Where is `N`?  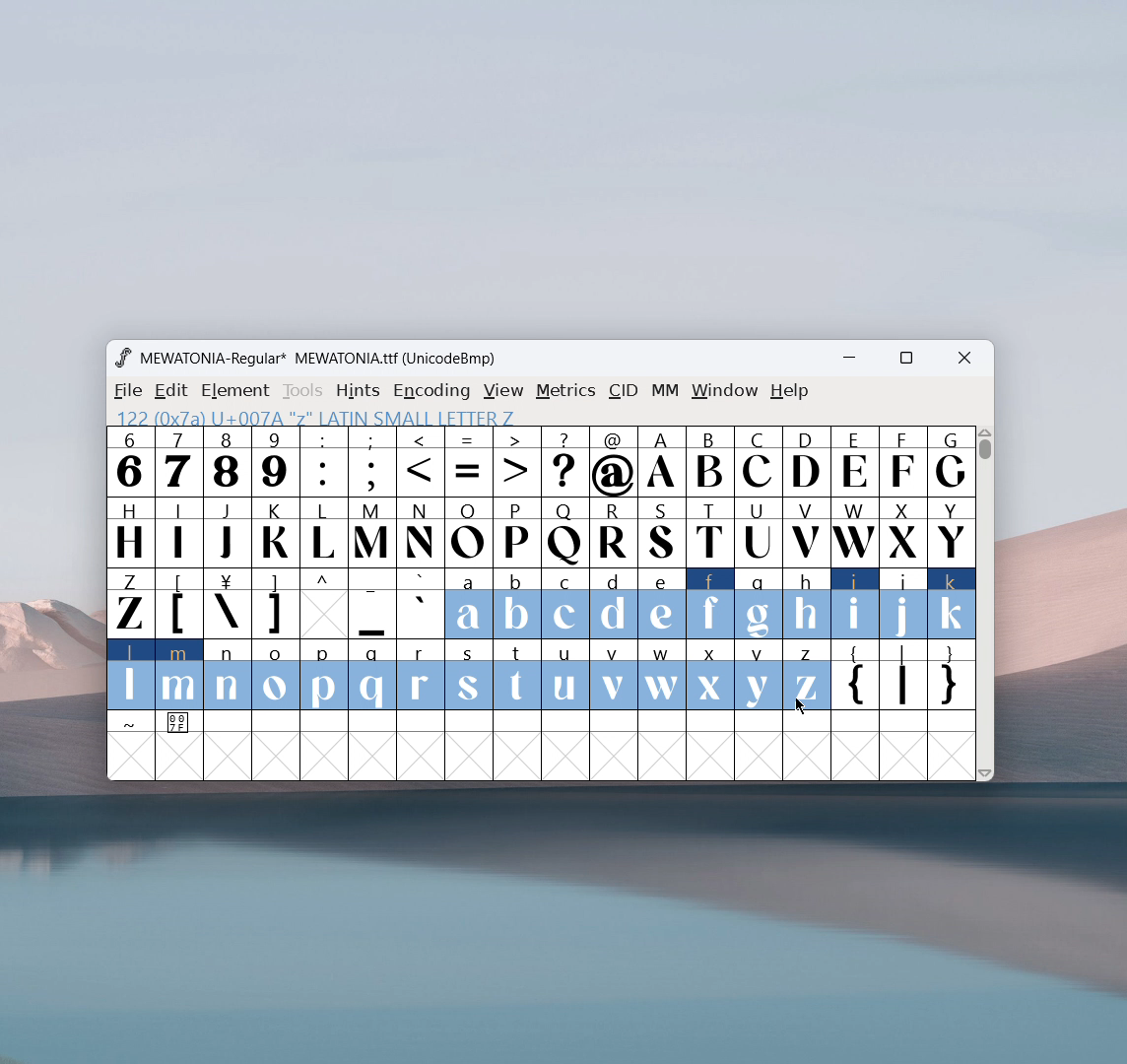 N is located at coordinates (421, 532).